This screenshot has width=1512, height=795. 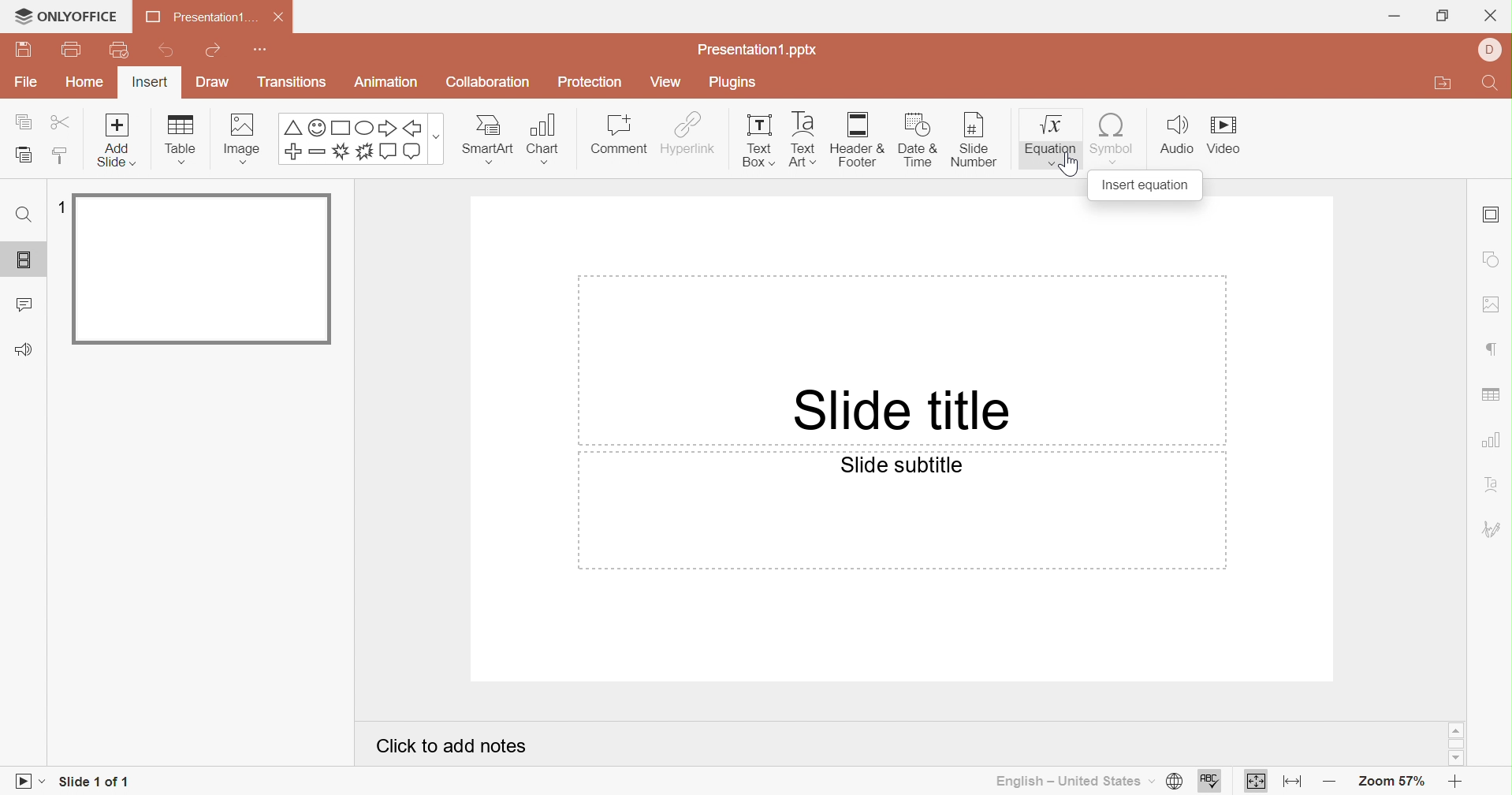 I want to click on Hyperlink, so click(x=691, y=136).